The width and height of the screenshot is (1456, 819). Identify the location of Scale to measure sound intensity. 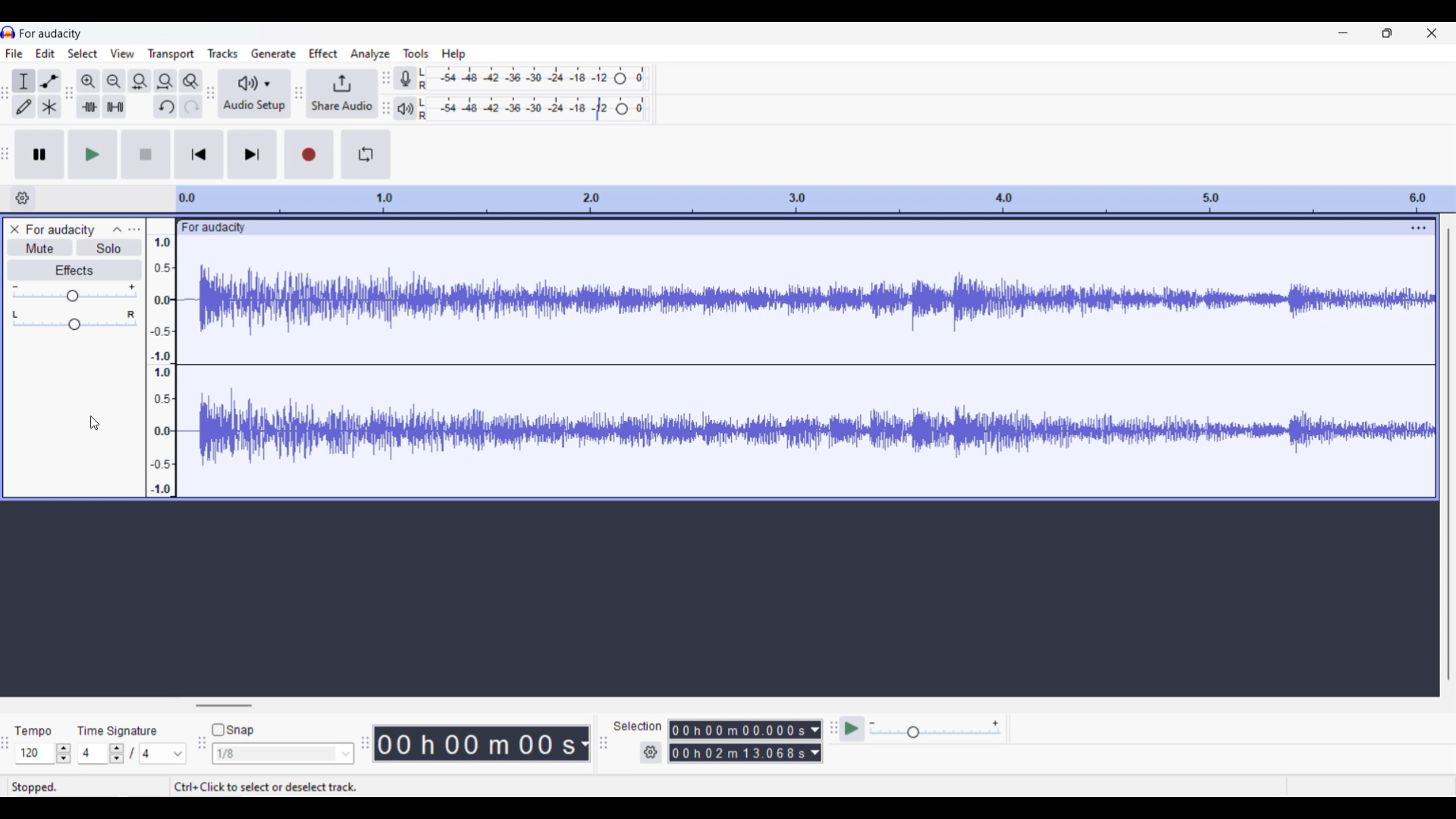
(161, 366).